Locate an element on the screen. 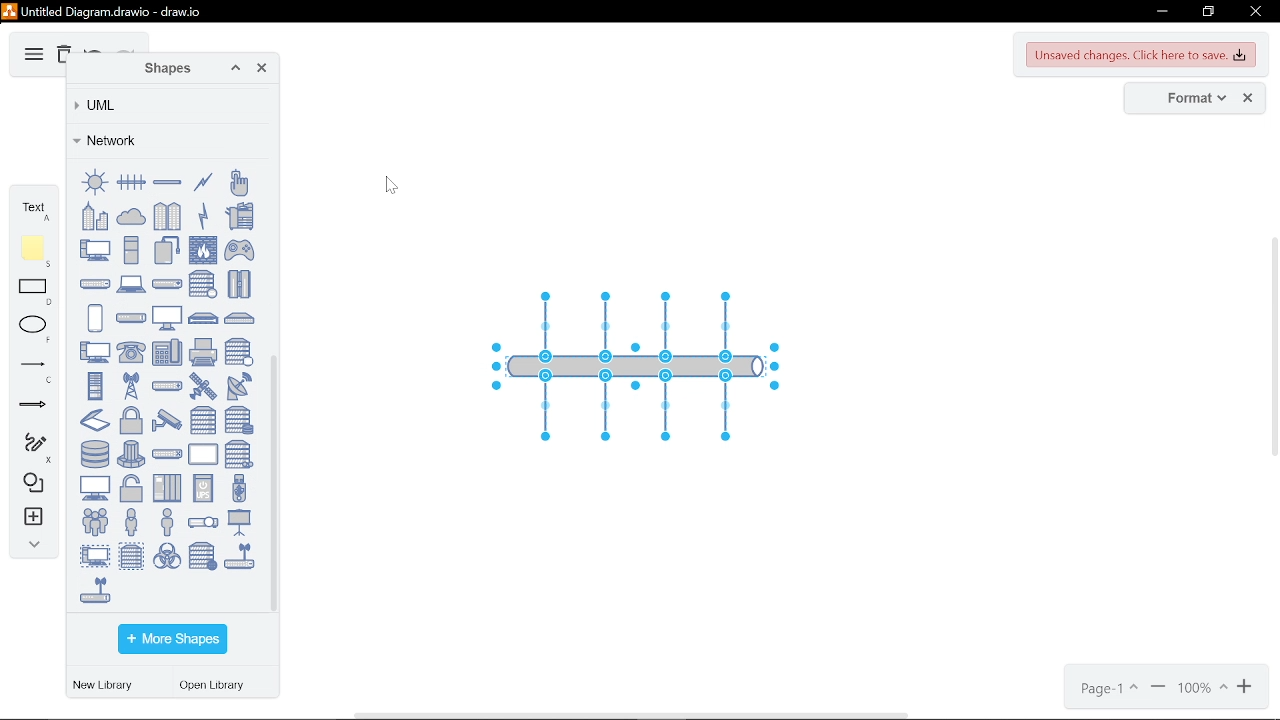  delete is located at coordinates (63, 56).